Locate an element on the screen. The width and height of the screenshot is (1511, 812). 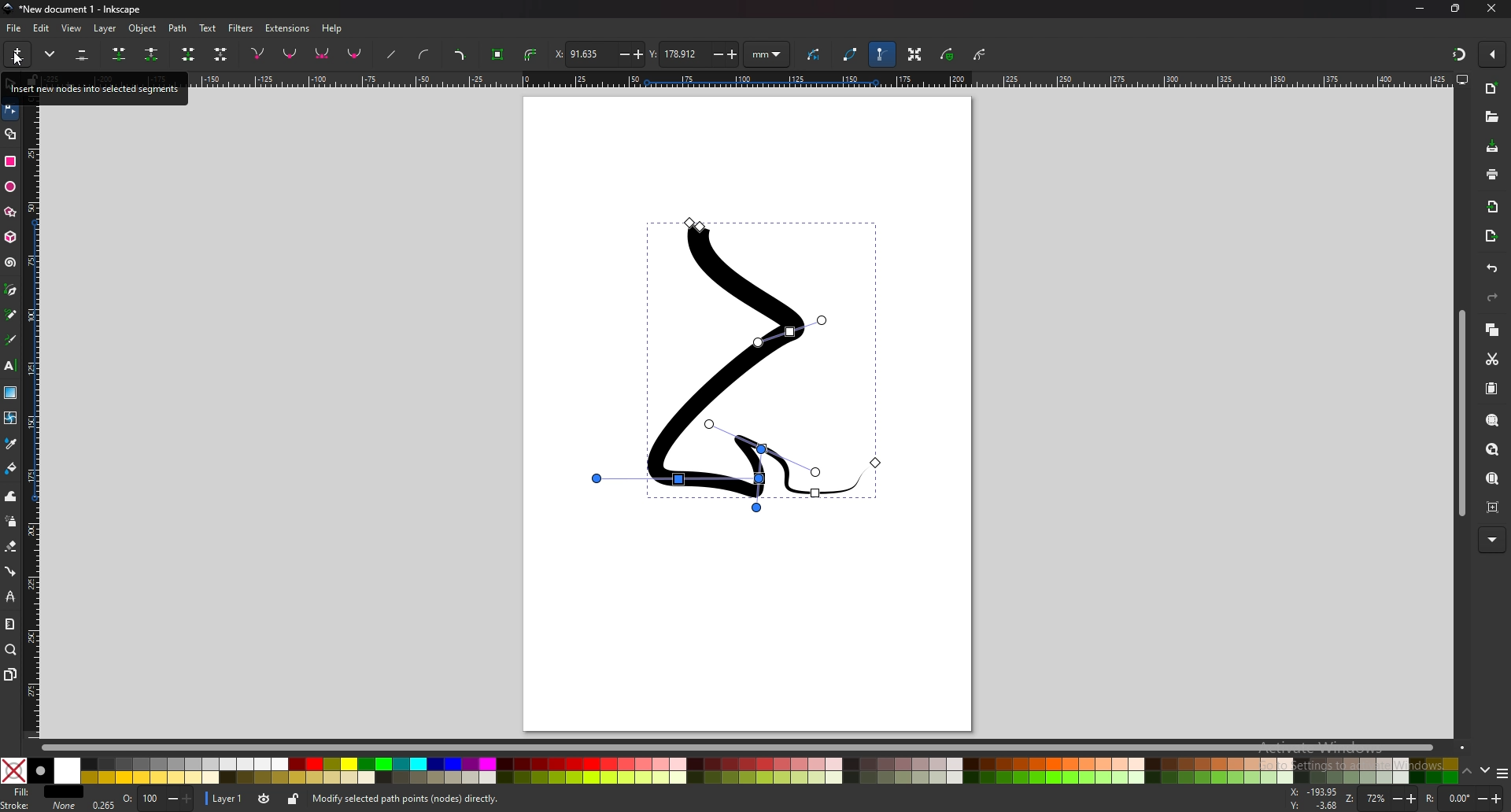
text is located at coordinates (207, 28).